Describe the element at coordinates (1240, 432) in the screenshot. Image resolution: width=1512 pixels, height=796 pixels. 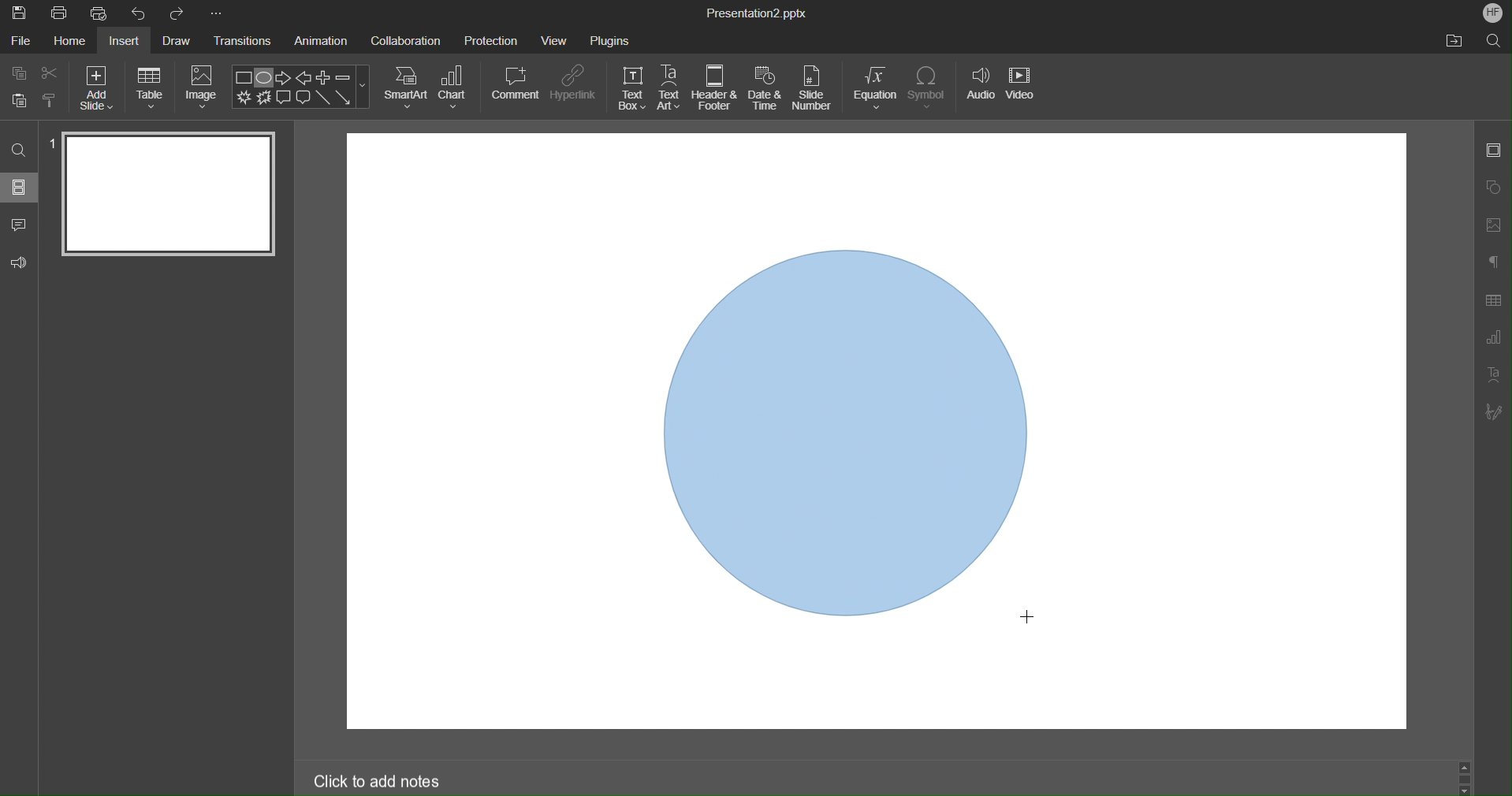
I see `workspace` at that location.